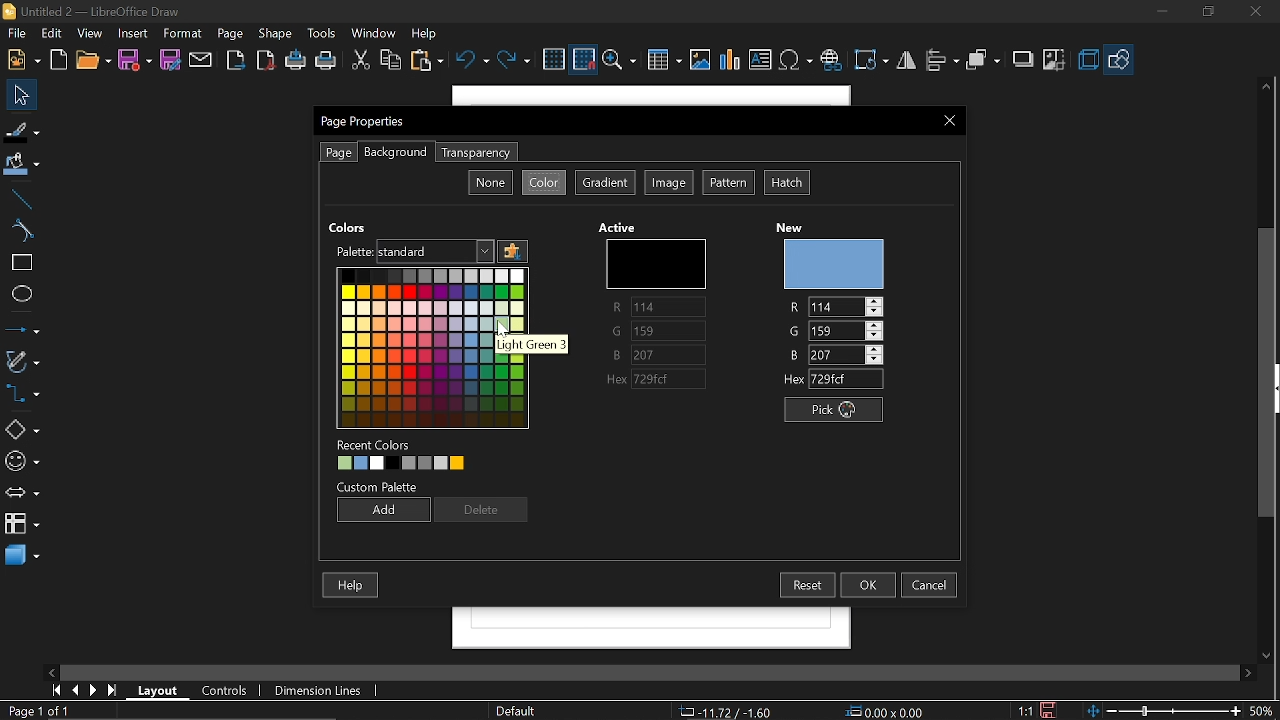  What do you see at coordinates (21, 329) in the screenshot?
I see `Lines and arrows` at bounding box center [21, 329].